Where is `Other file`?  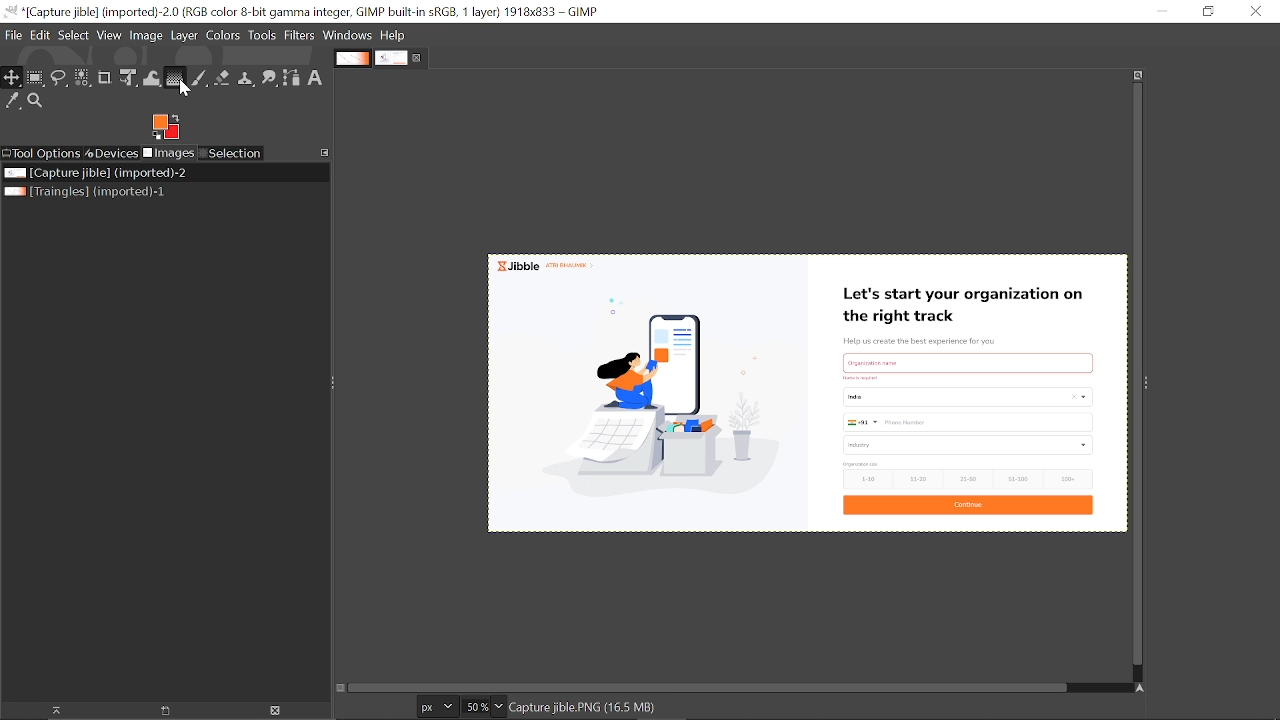
Other file is located at coordinates (88, 192).